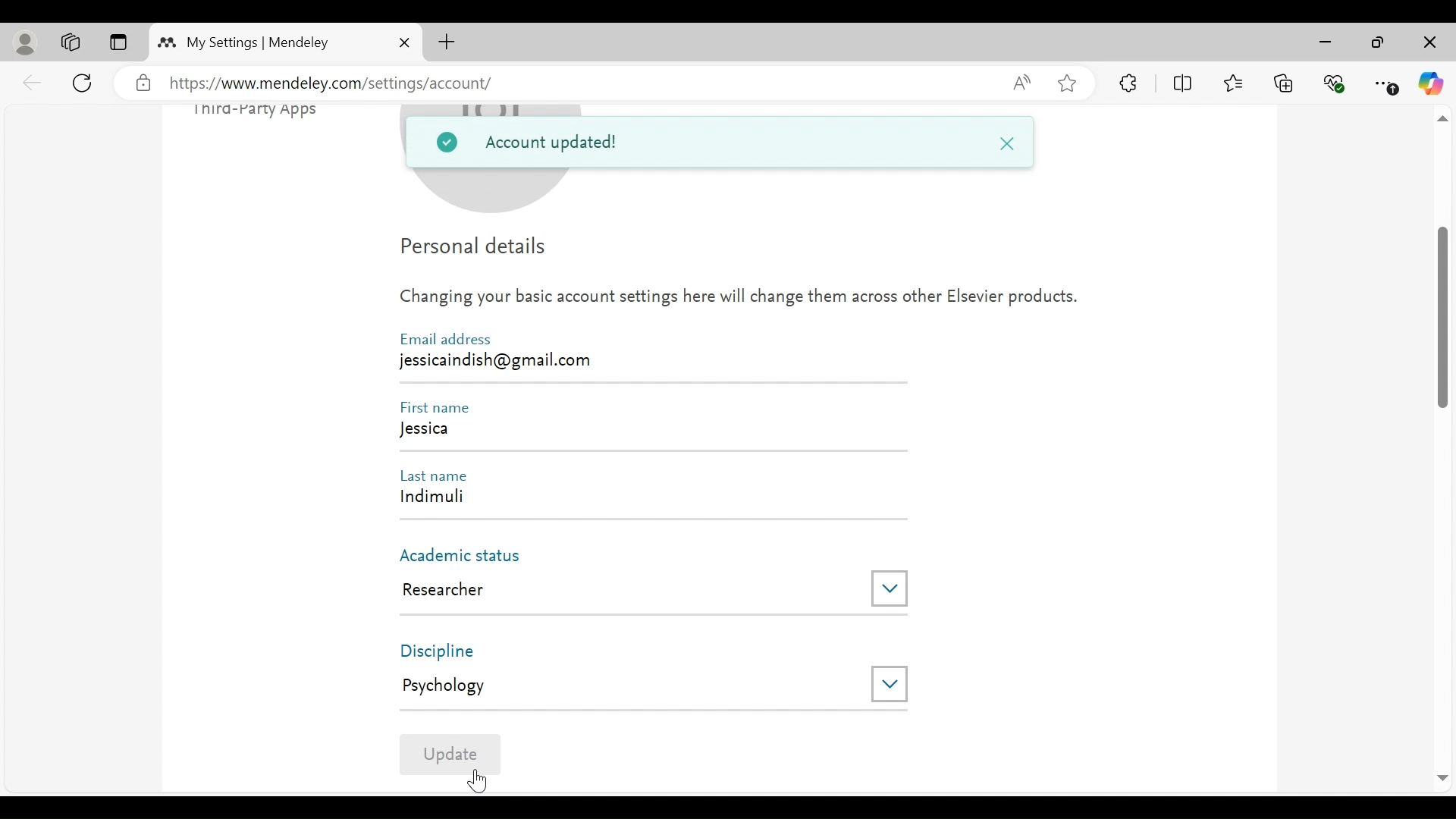 Image resolution: width=1456 pixels, height=819 pixels. Describe the element at coordinates (33, 82) in the screenshot. I see `back` at that location.